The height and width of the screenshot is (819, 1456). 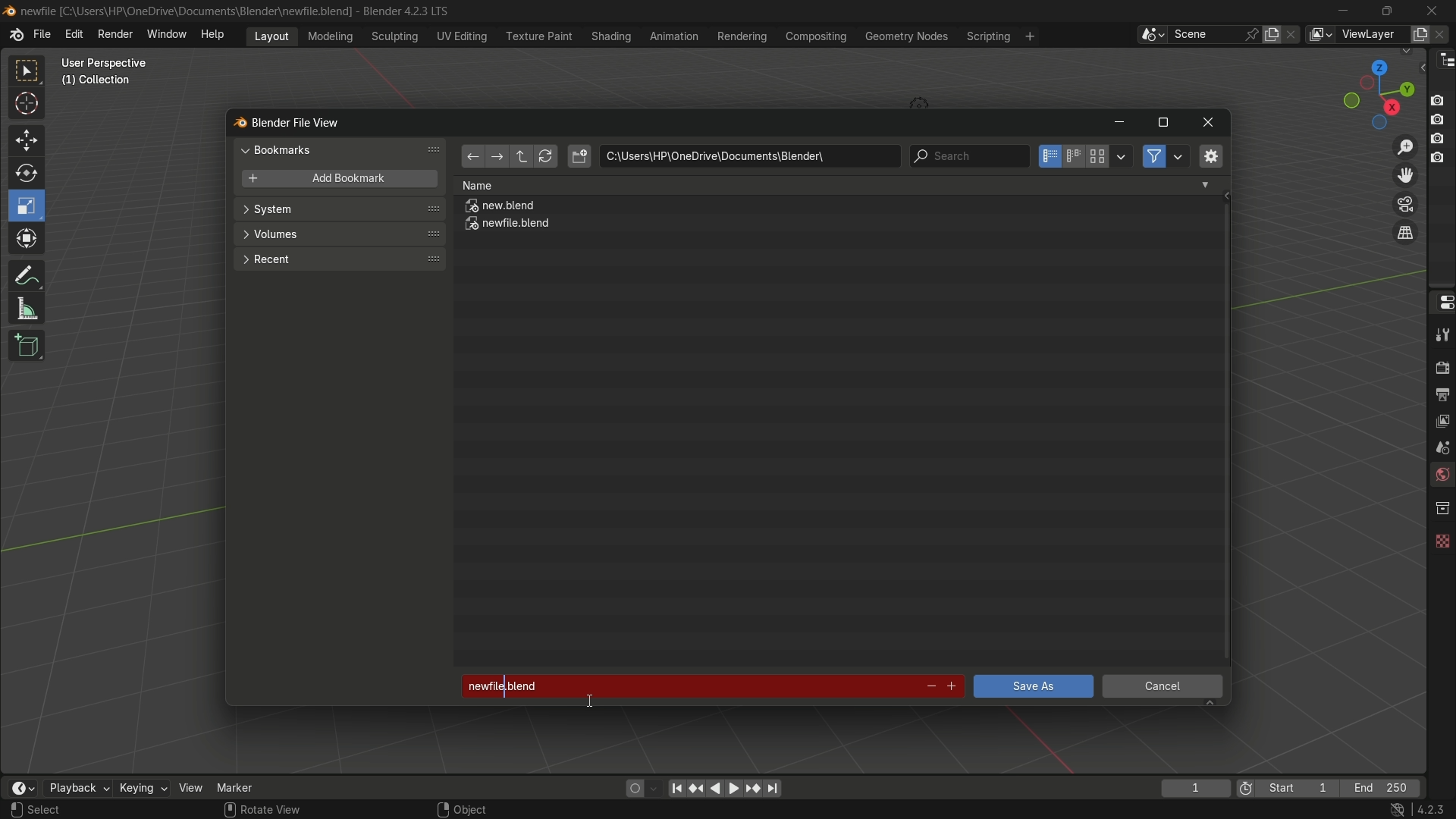 I want to click on add workspace, so click(x=1028, y=36).